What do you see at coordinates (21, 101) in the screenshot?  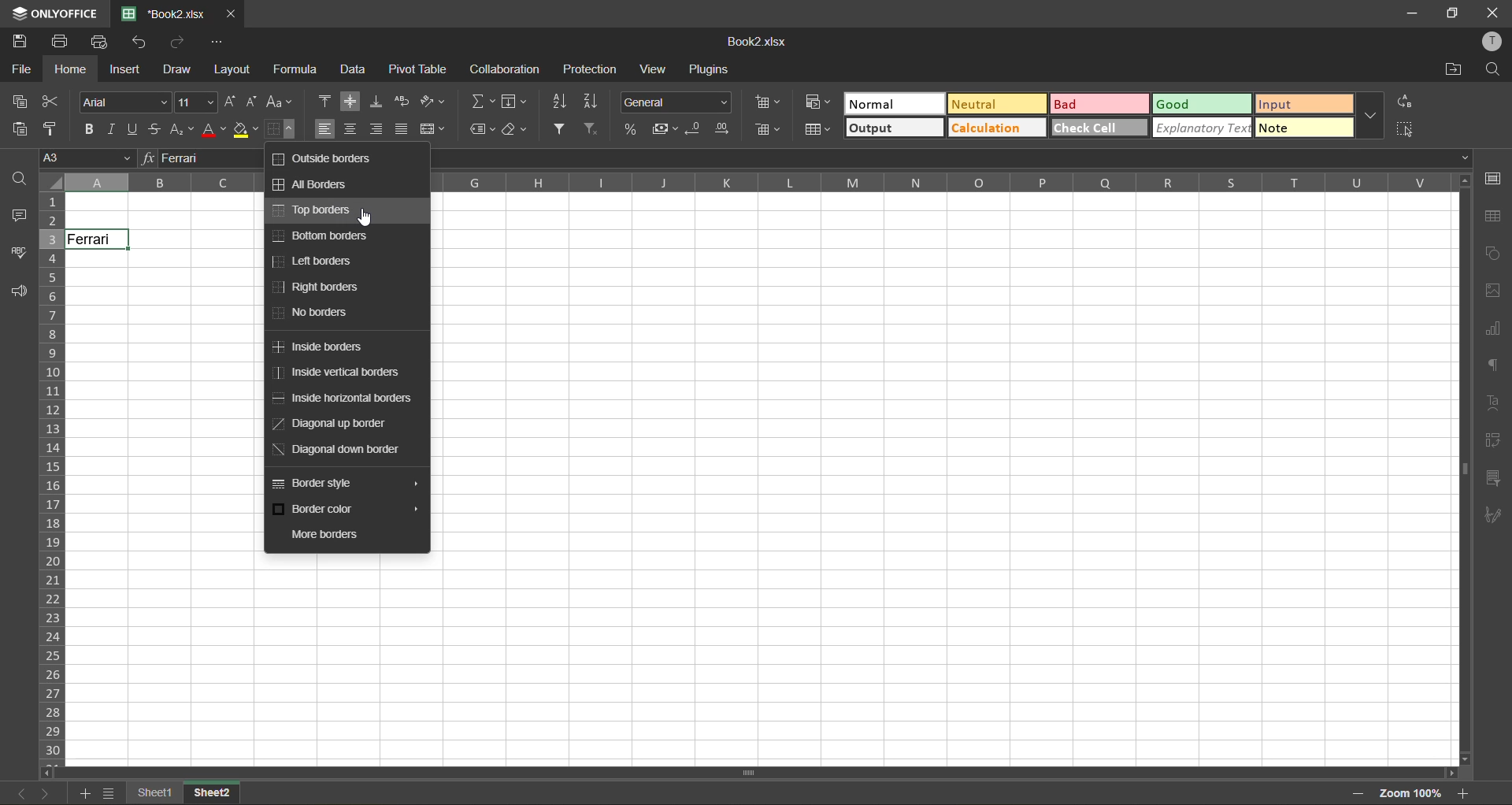 I see `copy` at bounding box center [21, 101].